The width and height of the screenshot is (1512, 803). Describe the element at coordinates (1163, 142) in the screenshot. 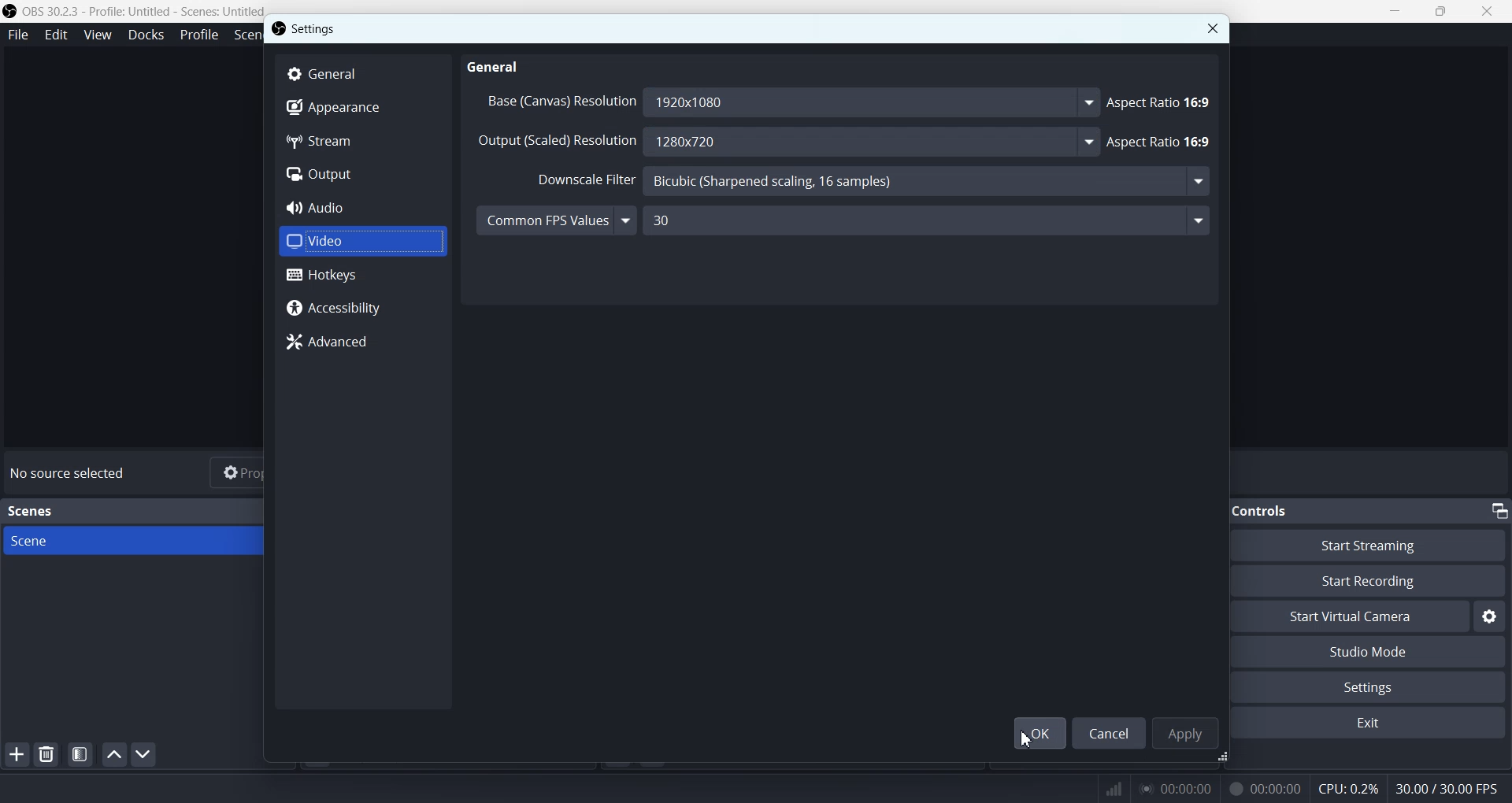

I see `Aspect Ratio 16:9` at that location.